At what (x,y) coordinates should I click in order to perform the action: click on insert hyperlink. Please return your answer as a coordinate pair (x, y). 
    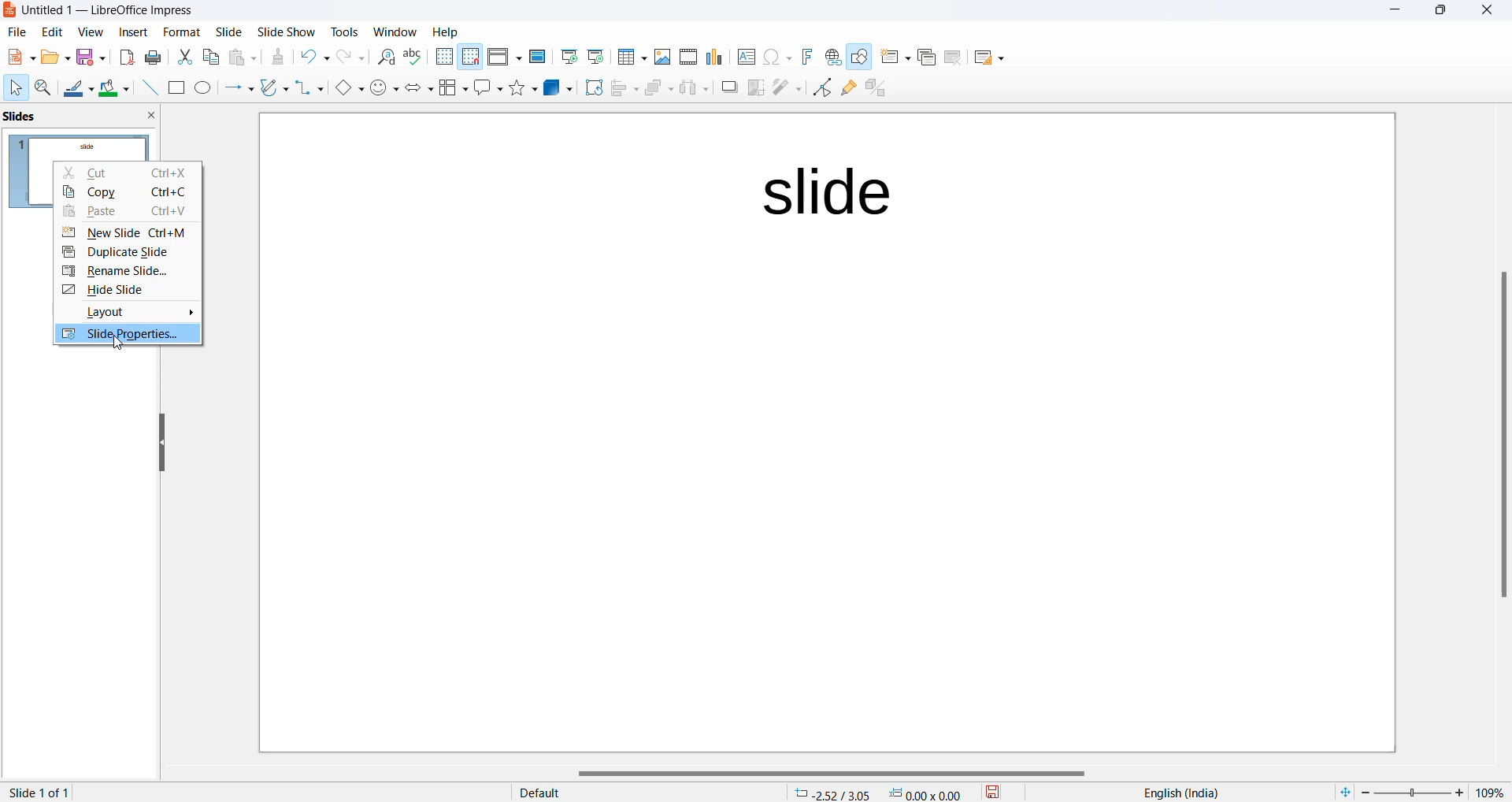
    Looking at the image, I should click on (832, 57).